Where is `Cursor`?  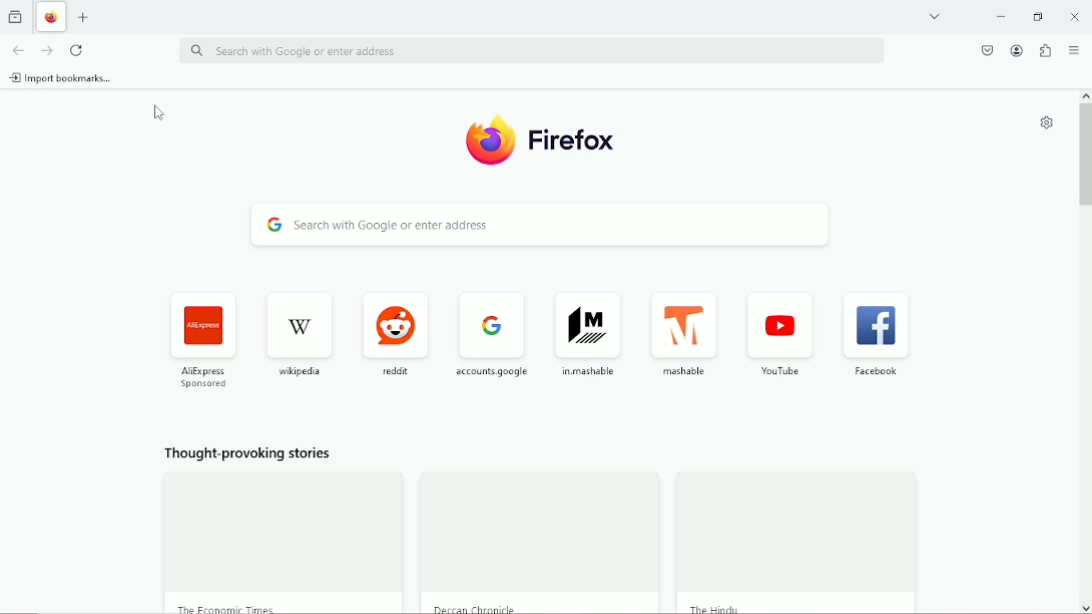
Cursor is located at coordinates (156, 113).